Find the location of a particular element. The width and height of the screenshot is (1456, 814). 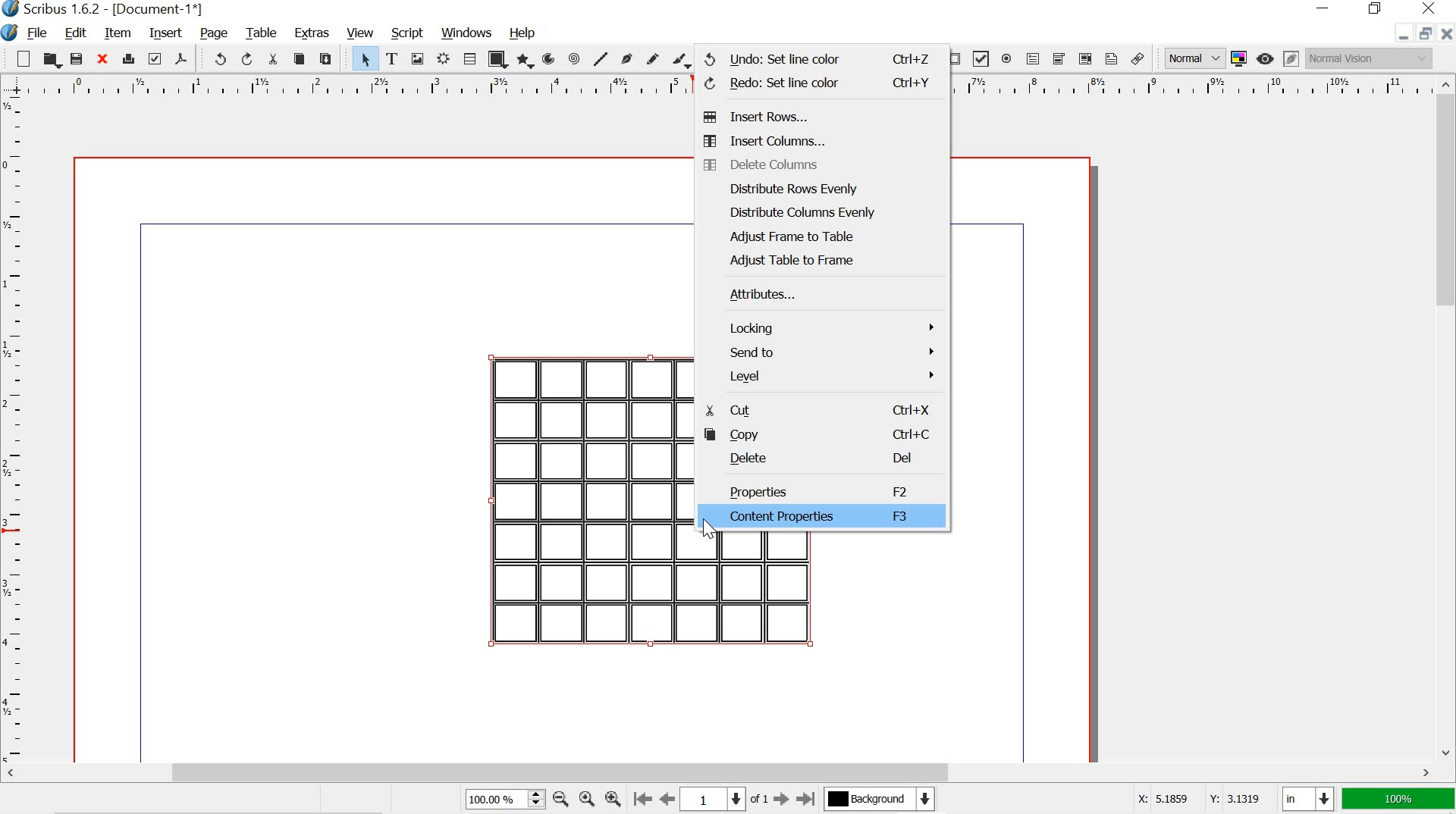

render frame is located at coordinates (442, 60).